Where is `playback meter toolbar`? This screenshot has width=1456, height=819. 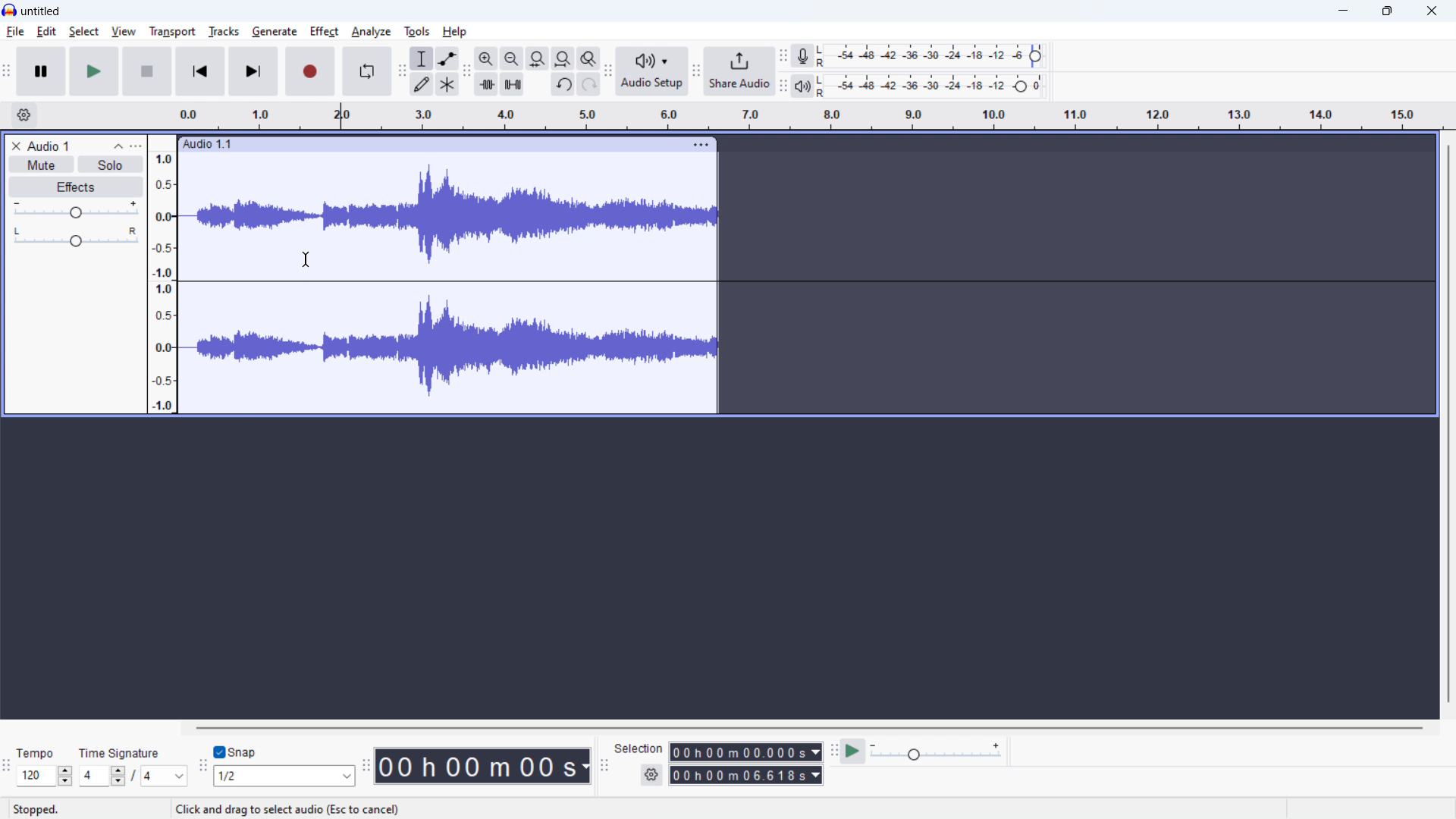 playback meter toolbar is located at coordinates (782, 86).